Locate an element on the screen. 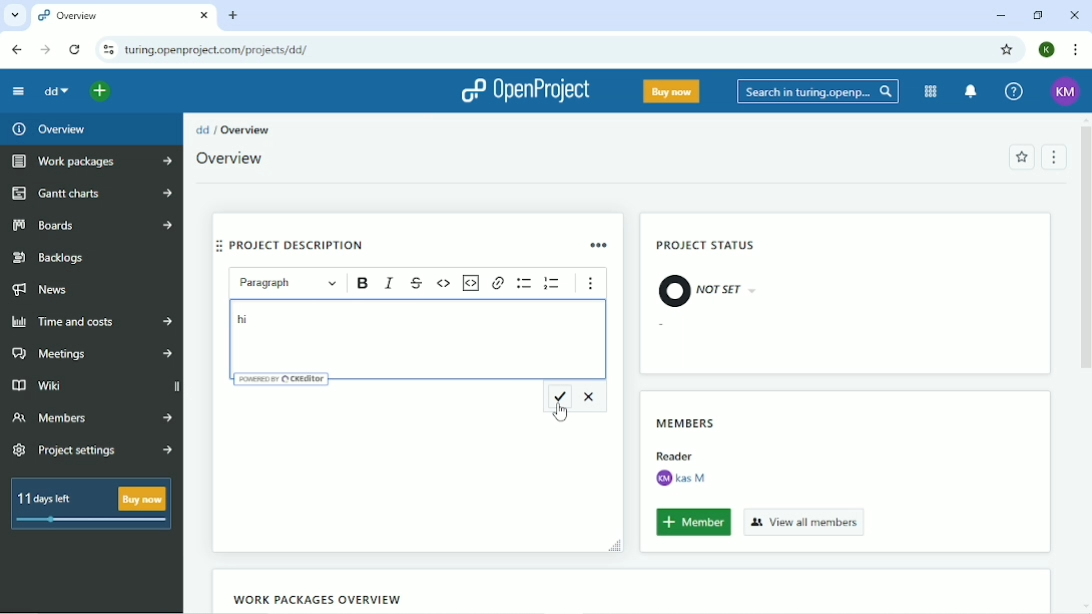  Menu is located at coordinates (1055, 156).